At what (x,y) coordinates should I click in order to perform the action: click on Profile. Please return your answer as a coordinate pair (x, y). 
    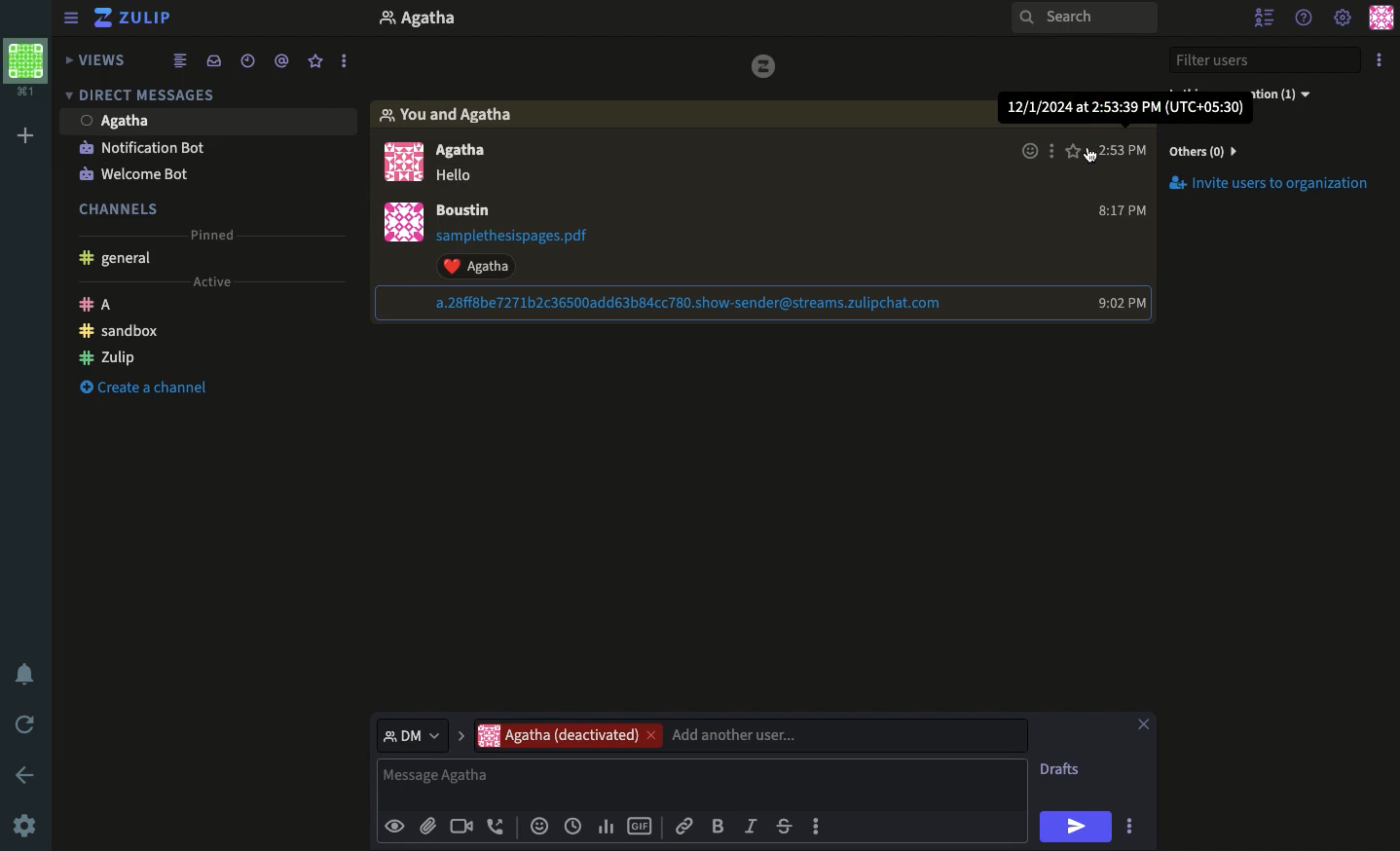
    Looking at the image, I should click on (29, 69).